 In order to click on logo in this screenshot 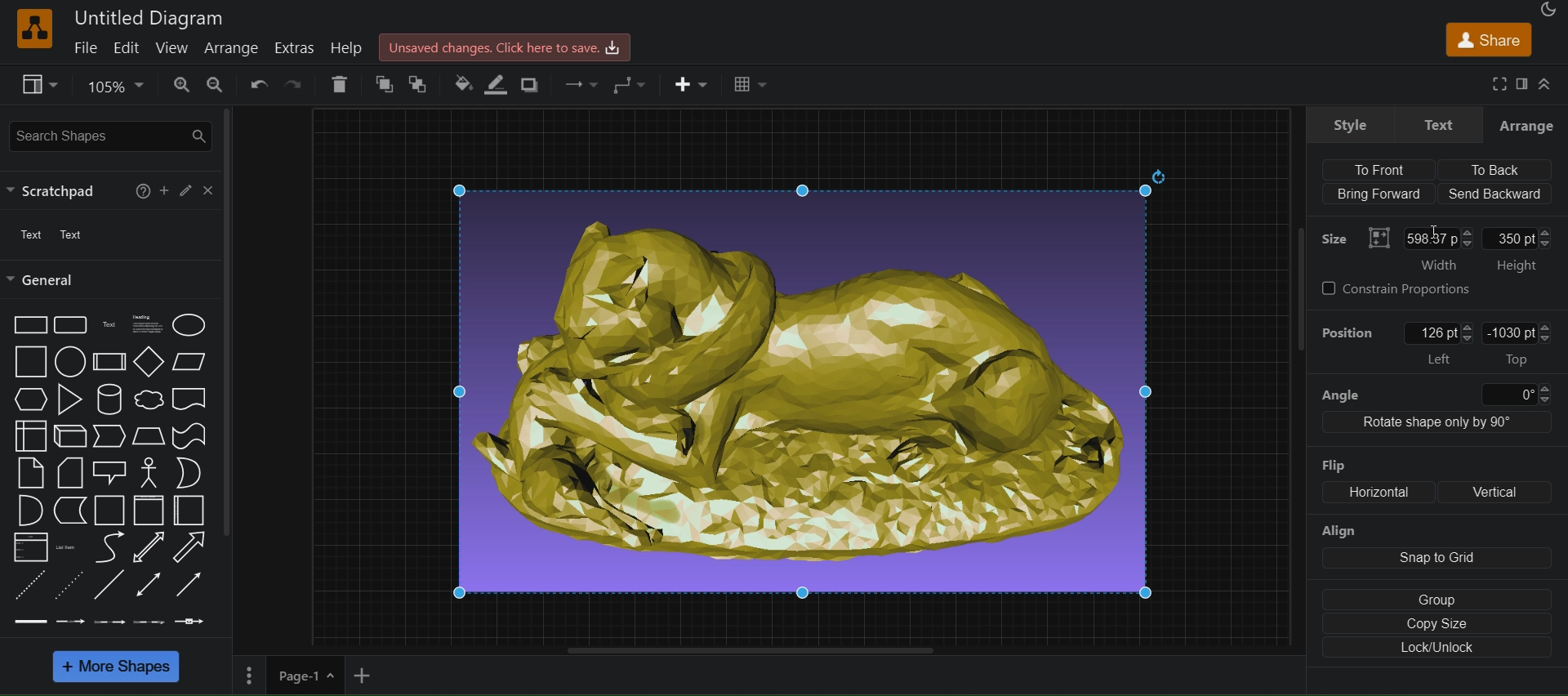, I will do `click(33, 29)`.